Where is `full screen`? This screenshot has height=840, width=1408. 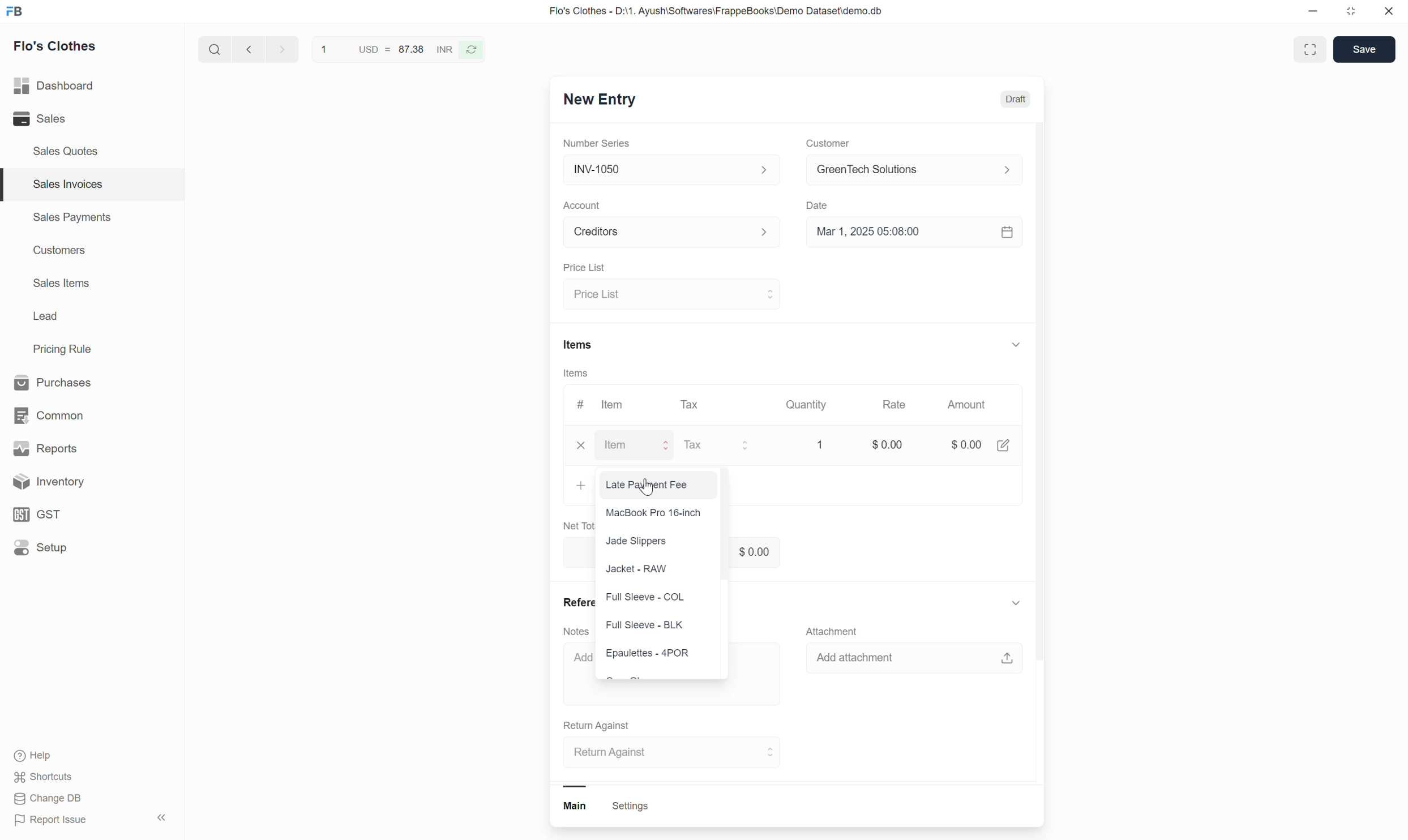
full screen is located at coordinates (1312, 49).